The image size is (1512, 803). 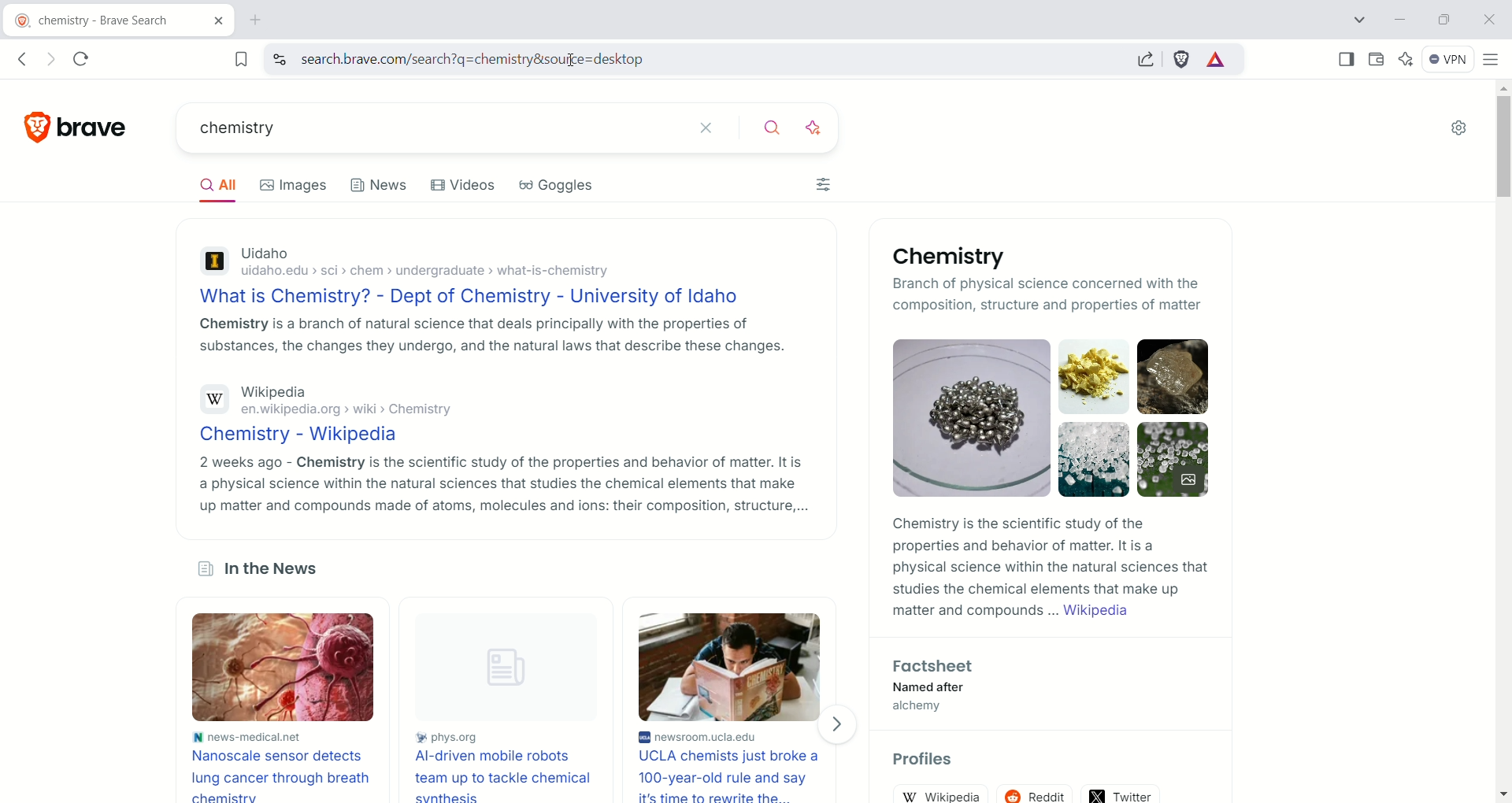 What do you see at coordinates (1051, 568) in the screenshot?
I see `Chemistry is the scientific study of the properties and behavior of matter. It is a physical science within the natural sciences that studies the chemical elements that make up matter and compounds ... Wikipedia` at bounding box center [1051, 568].